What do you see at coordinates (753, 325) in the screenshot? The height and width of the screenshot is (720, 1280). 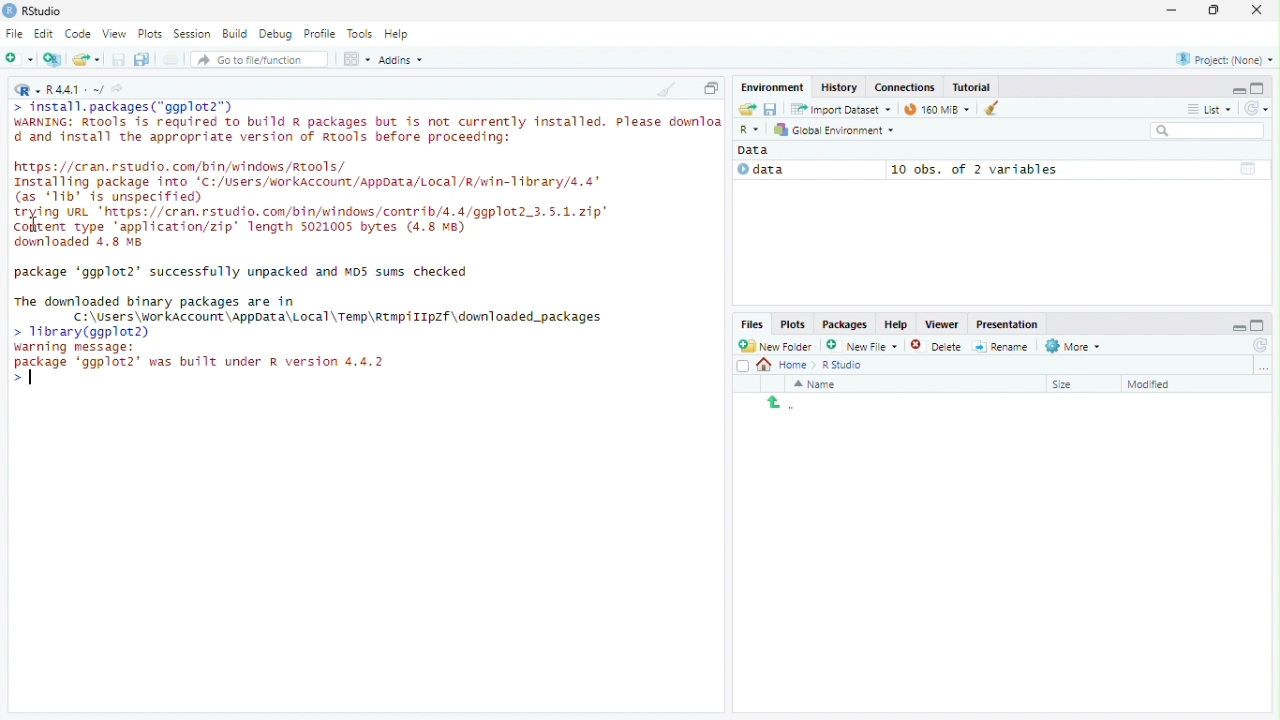 I see `Files` at bounding box center [753, 325].